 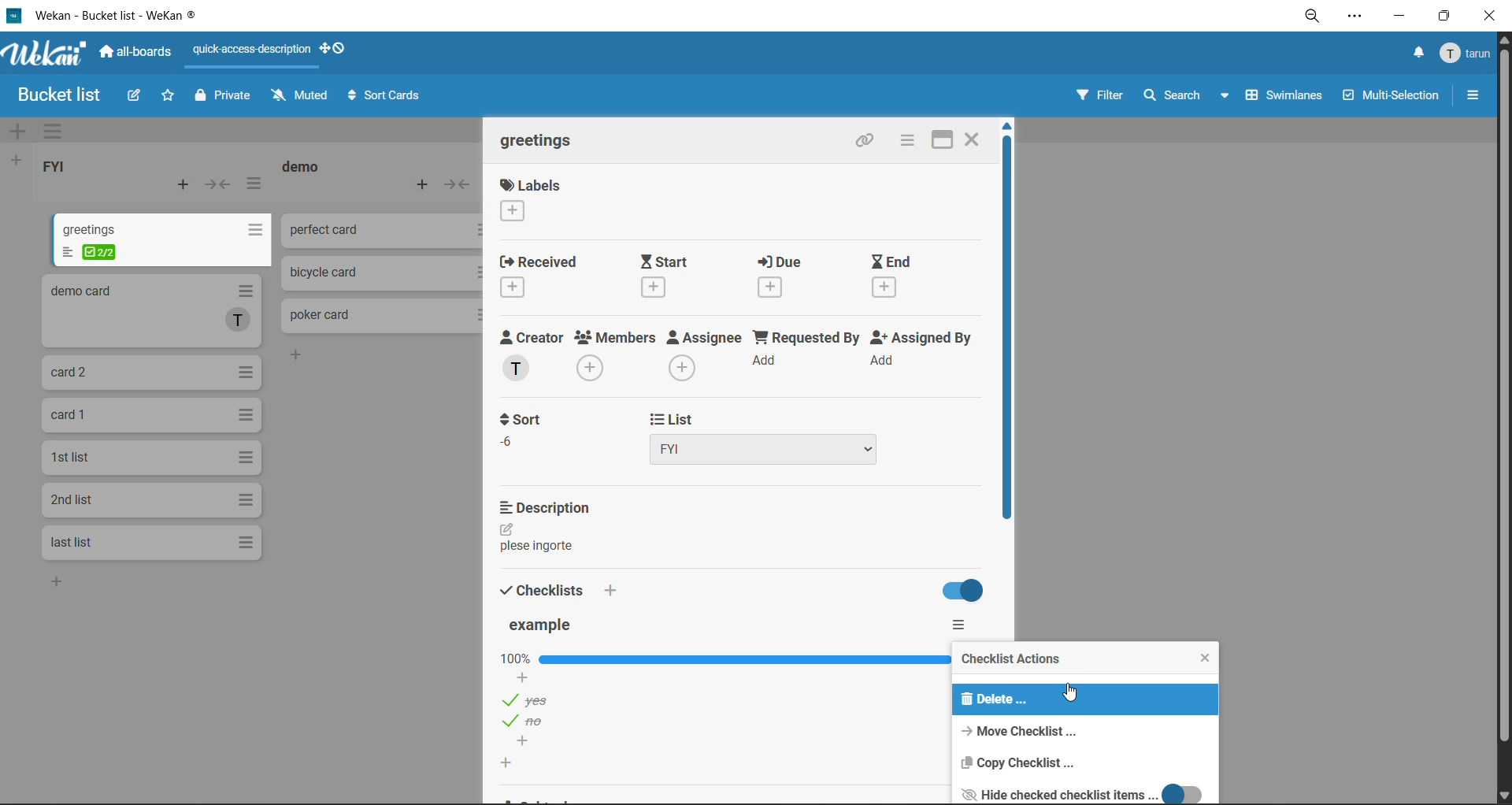 I want to click on collapse, so click(x=458, y=185).